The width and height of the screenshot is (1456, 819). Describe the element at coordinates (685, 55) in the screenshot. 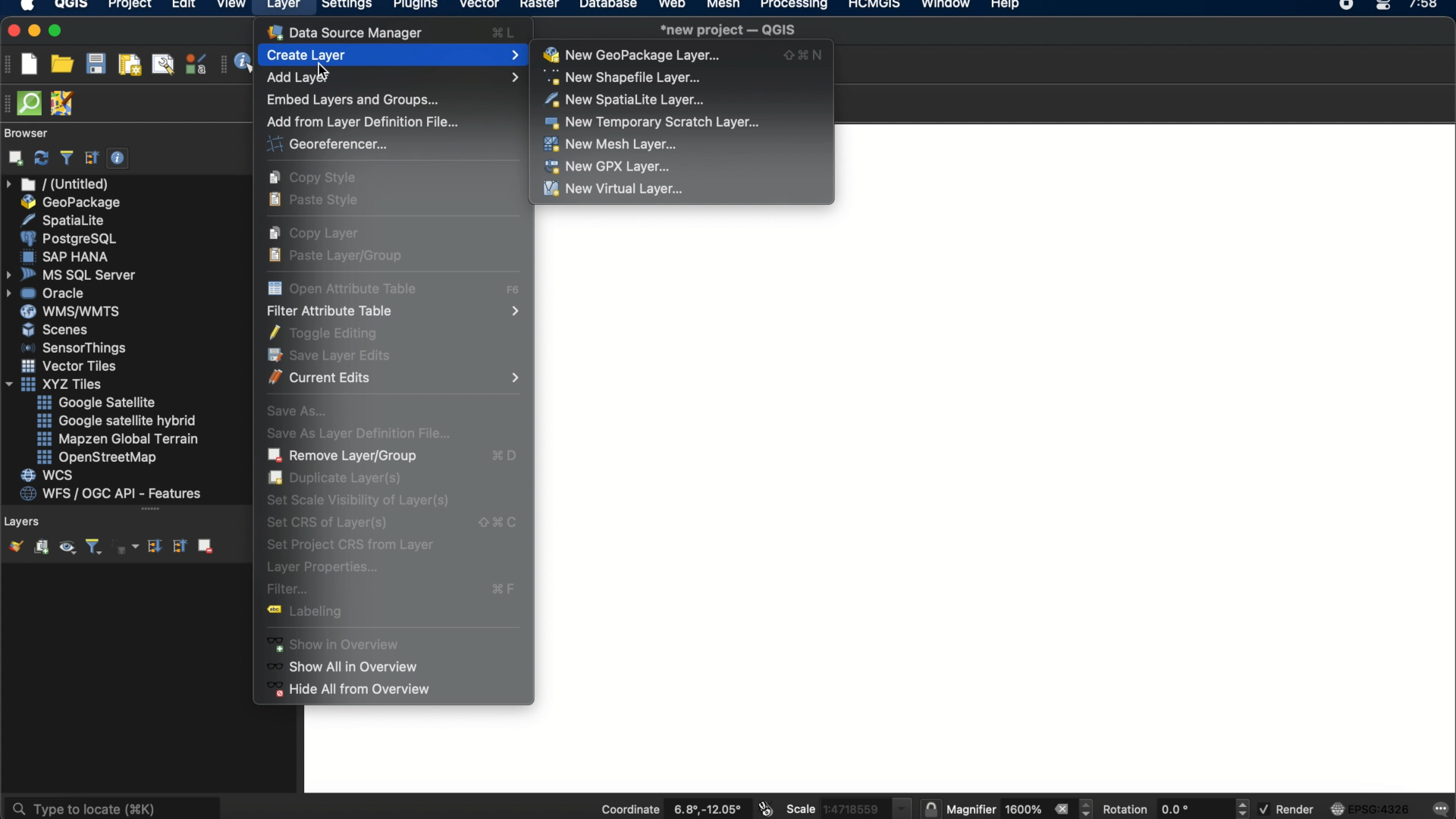

I see `new geo package layer` at that location.